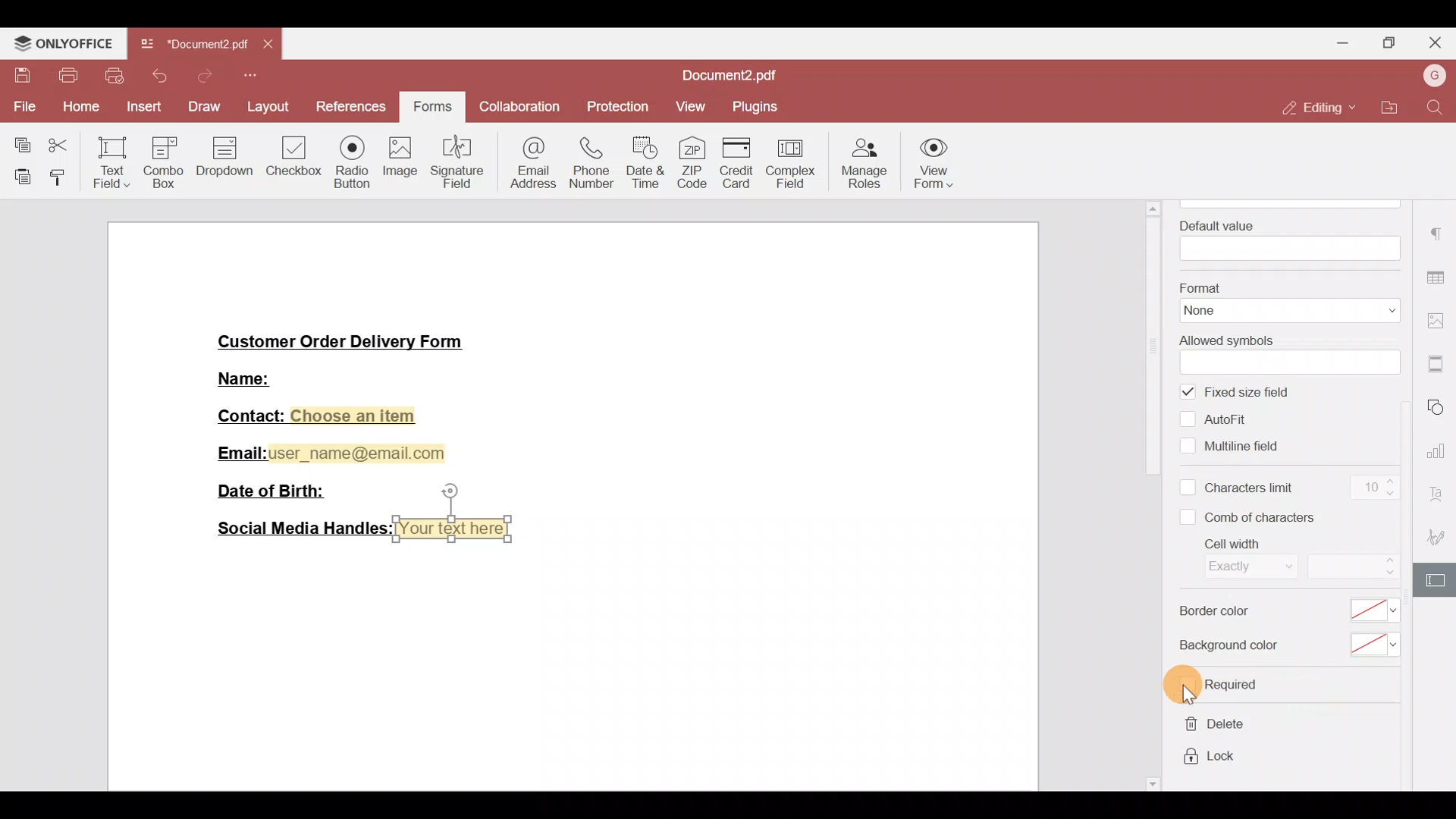  I want to click on File, so click(24, 106).